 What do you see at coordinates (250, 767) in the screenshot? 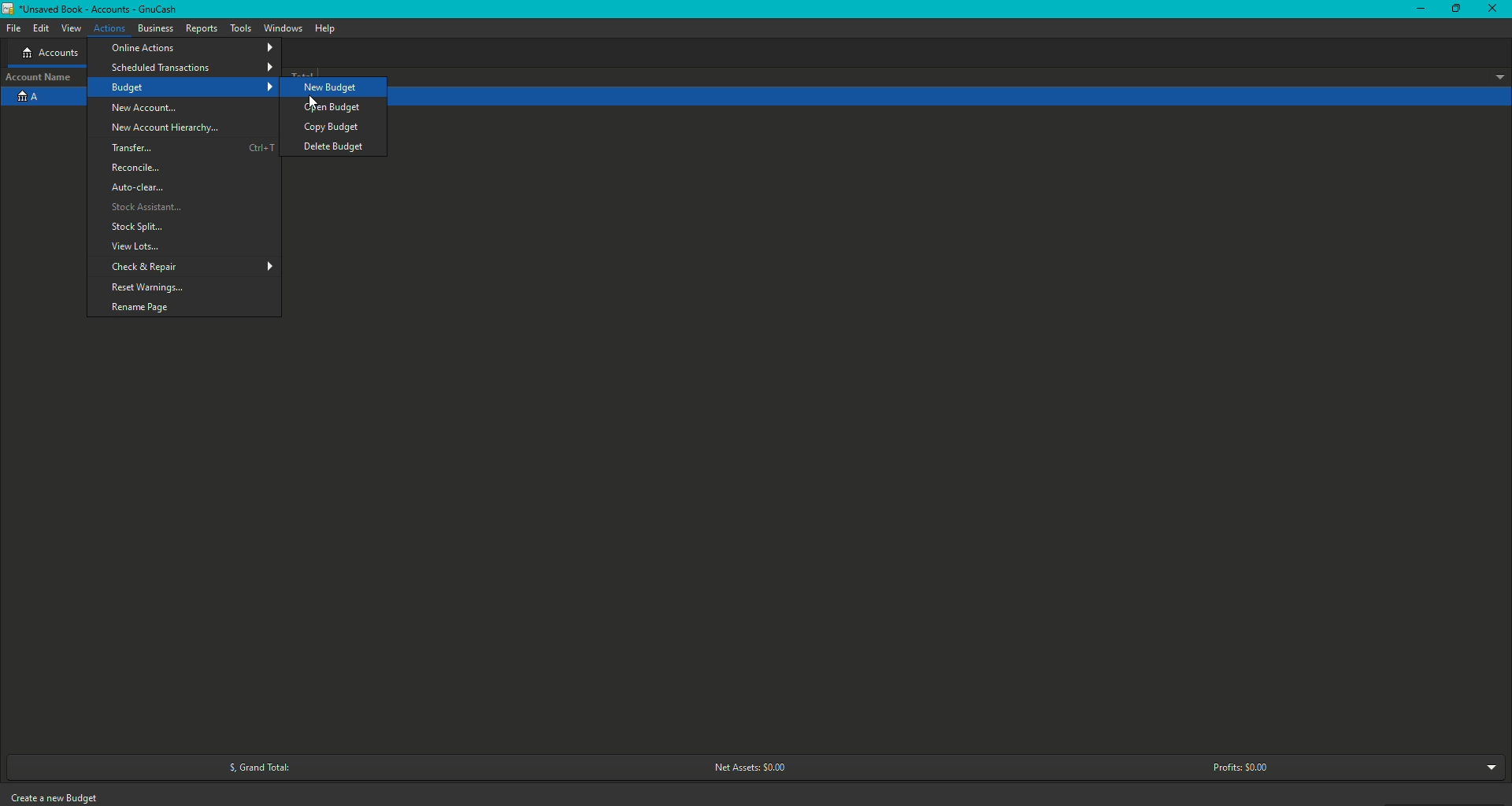
I see `Grand Total` at bounding box center [250, 767].